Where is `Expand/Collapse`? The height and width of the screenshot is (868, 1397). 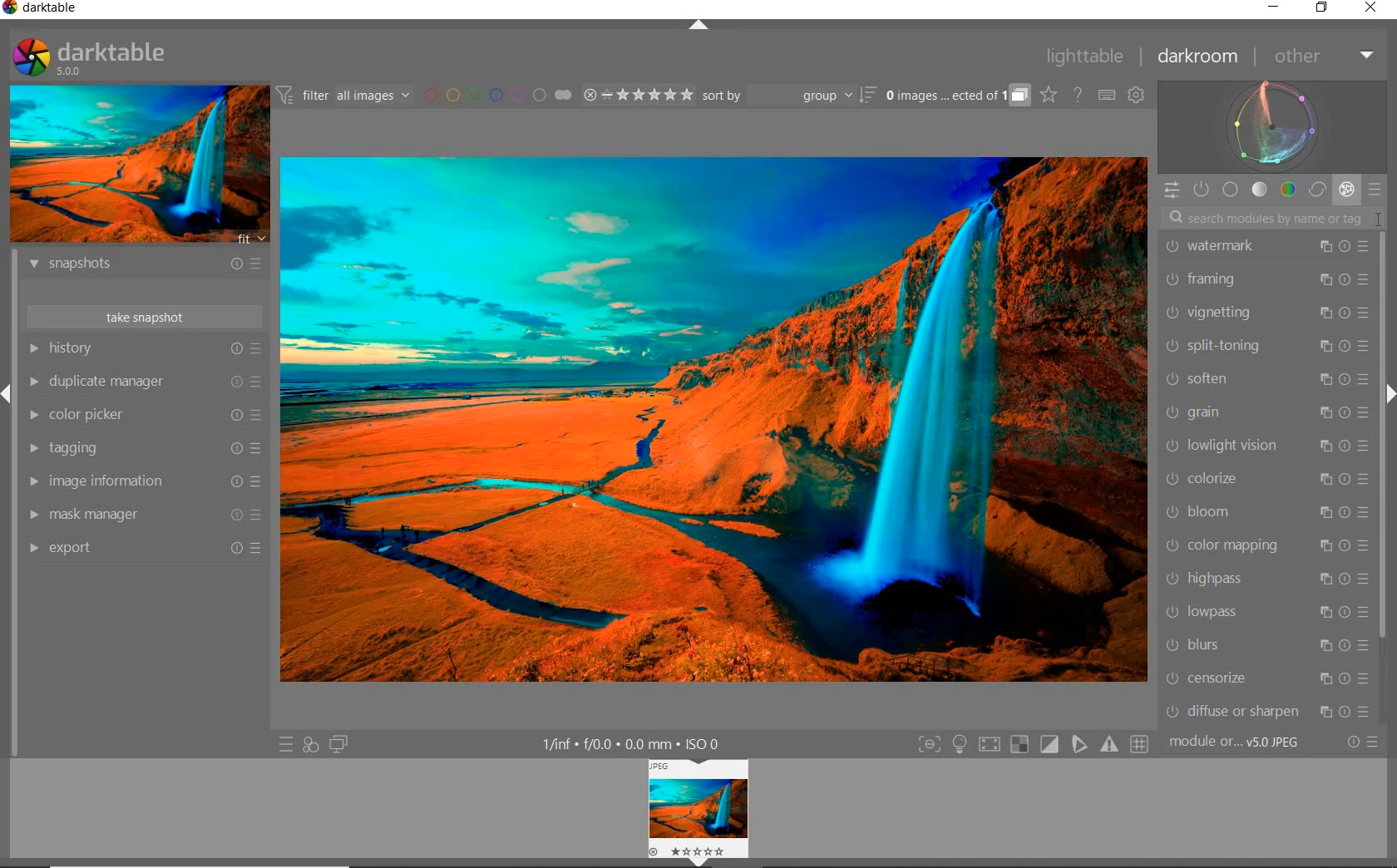 Expand/Collapse is located at coordinates (695, 862).